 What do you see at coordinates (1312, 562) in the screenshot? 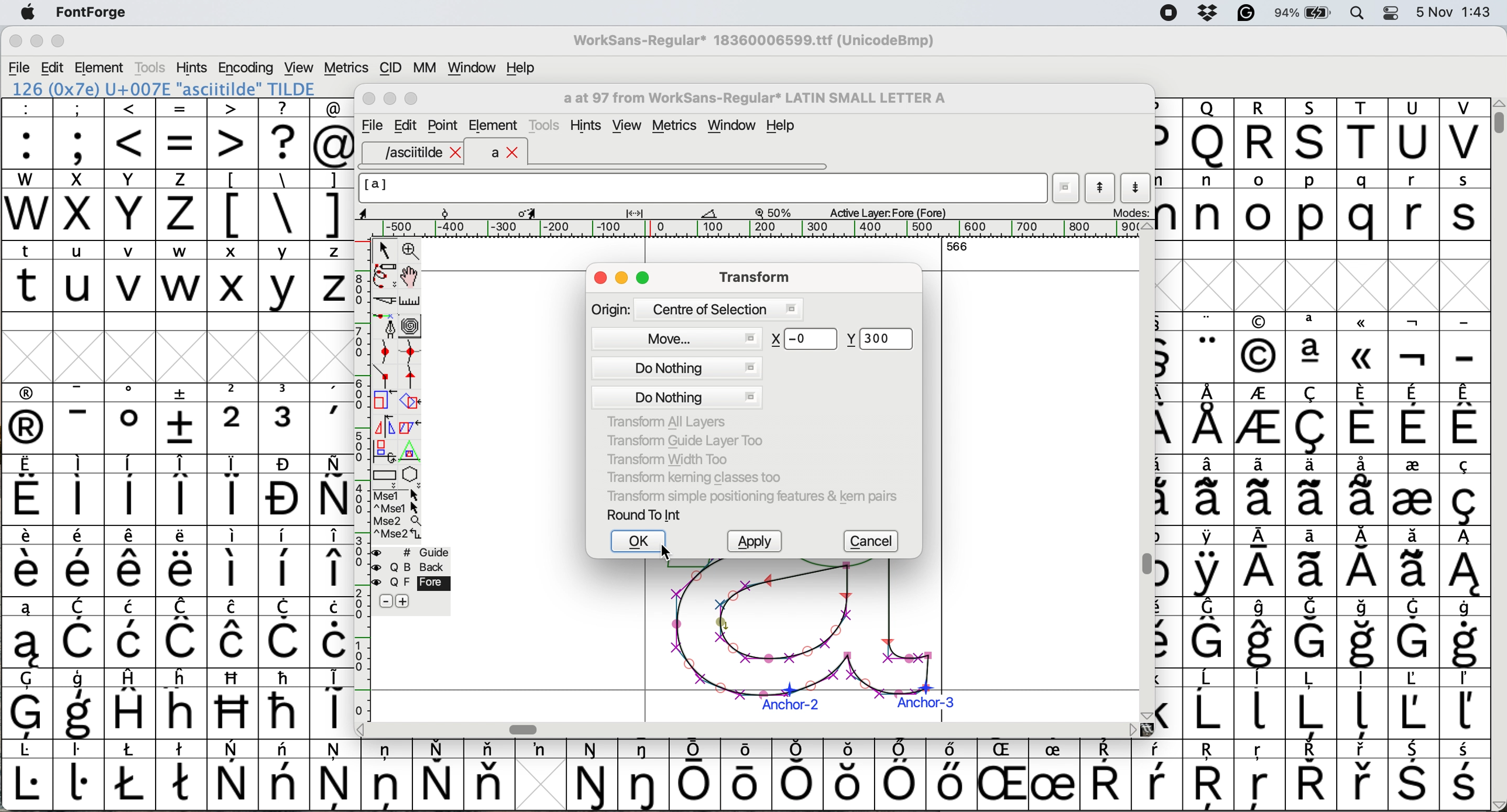
I see `symbol` at bounding box center [1312, 562].